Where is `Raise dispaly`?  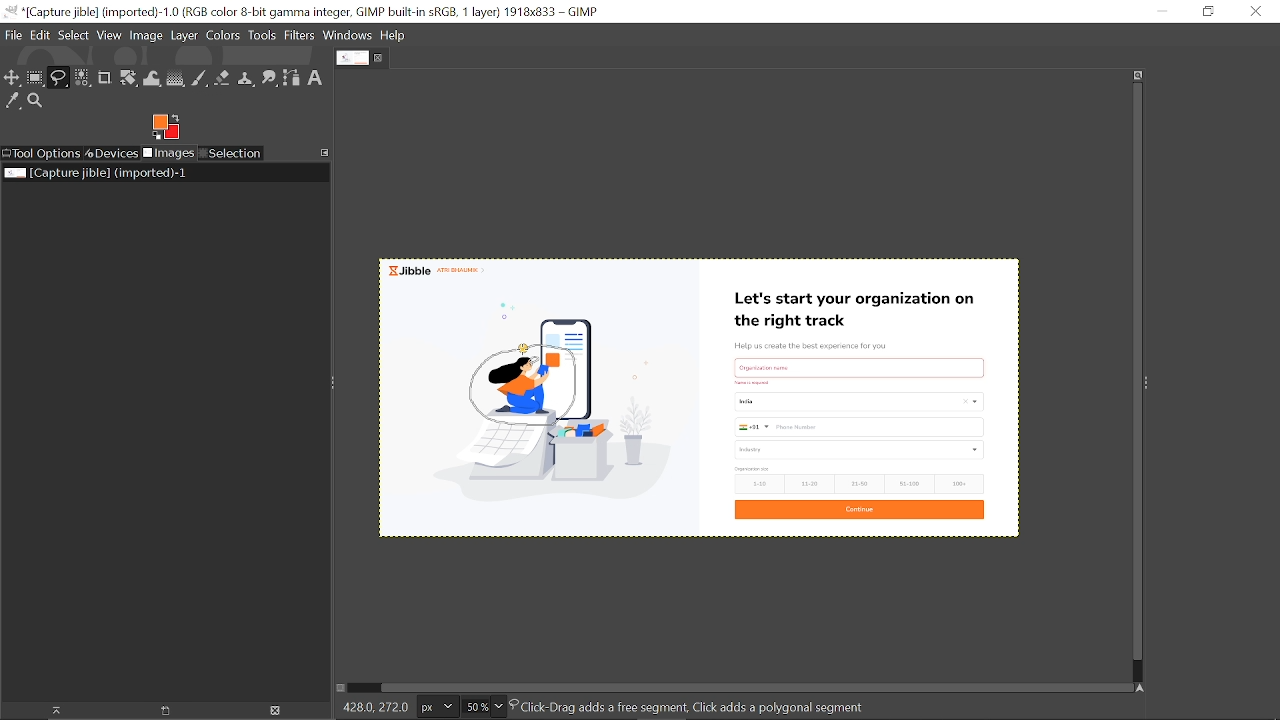 Raise dispaly is located at coordinates (50, 711).